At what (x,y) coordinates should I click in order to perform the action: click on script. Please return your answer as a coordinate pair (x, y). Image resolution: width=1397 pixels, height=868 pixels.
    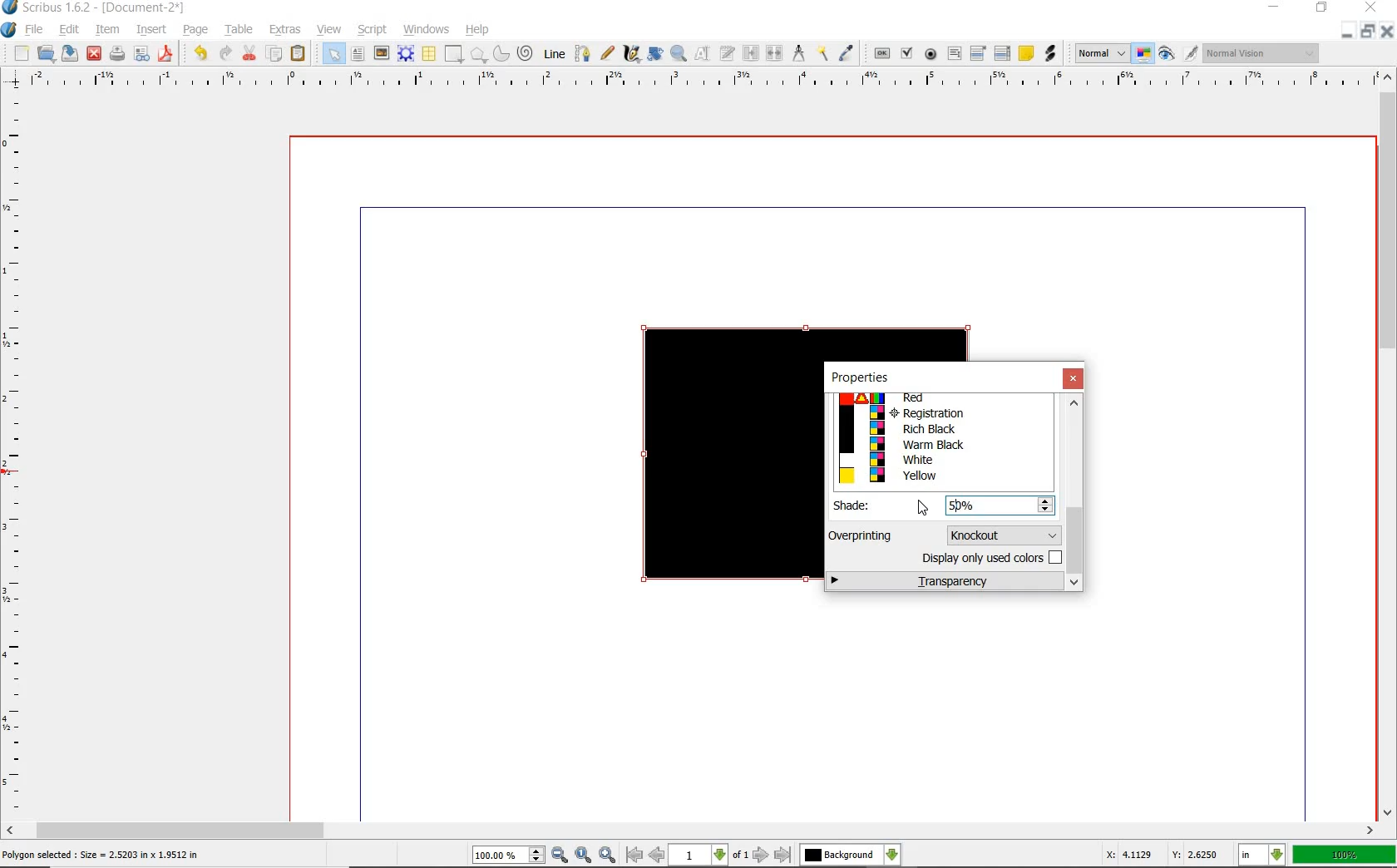
    Looking at the image, I should click on (373, 30).